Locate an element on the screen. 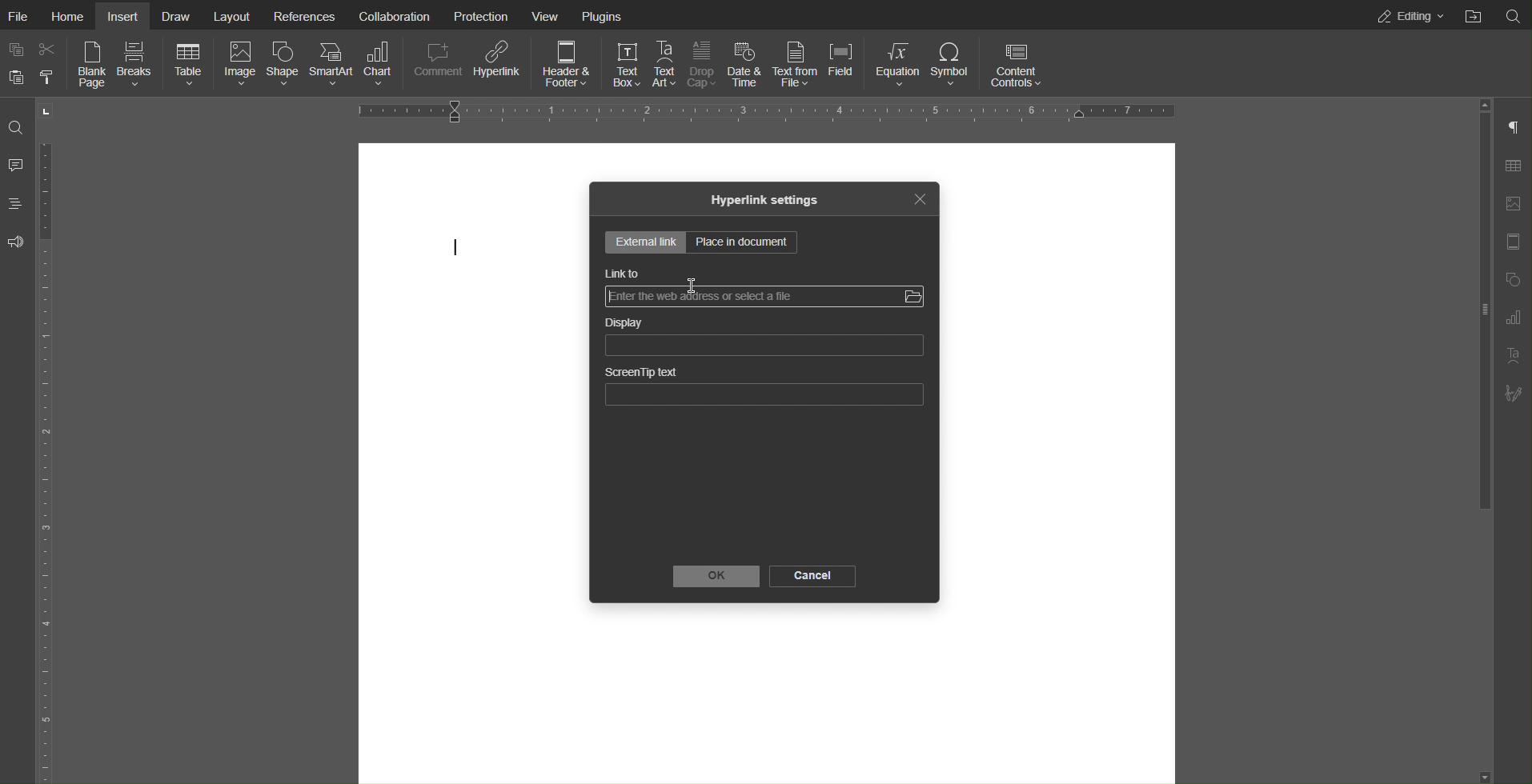 The width and height of the screenshot is (1532, 784). Place in document is located at coordinates (746, 242).